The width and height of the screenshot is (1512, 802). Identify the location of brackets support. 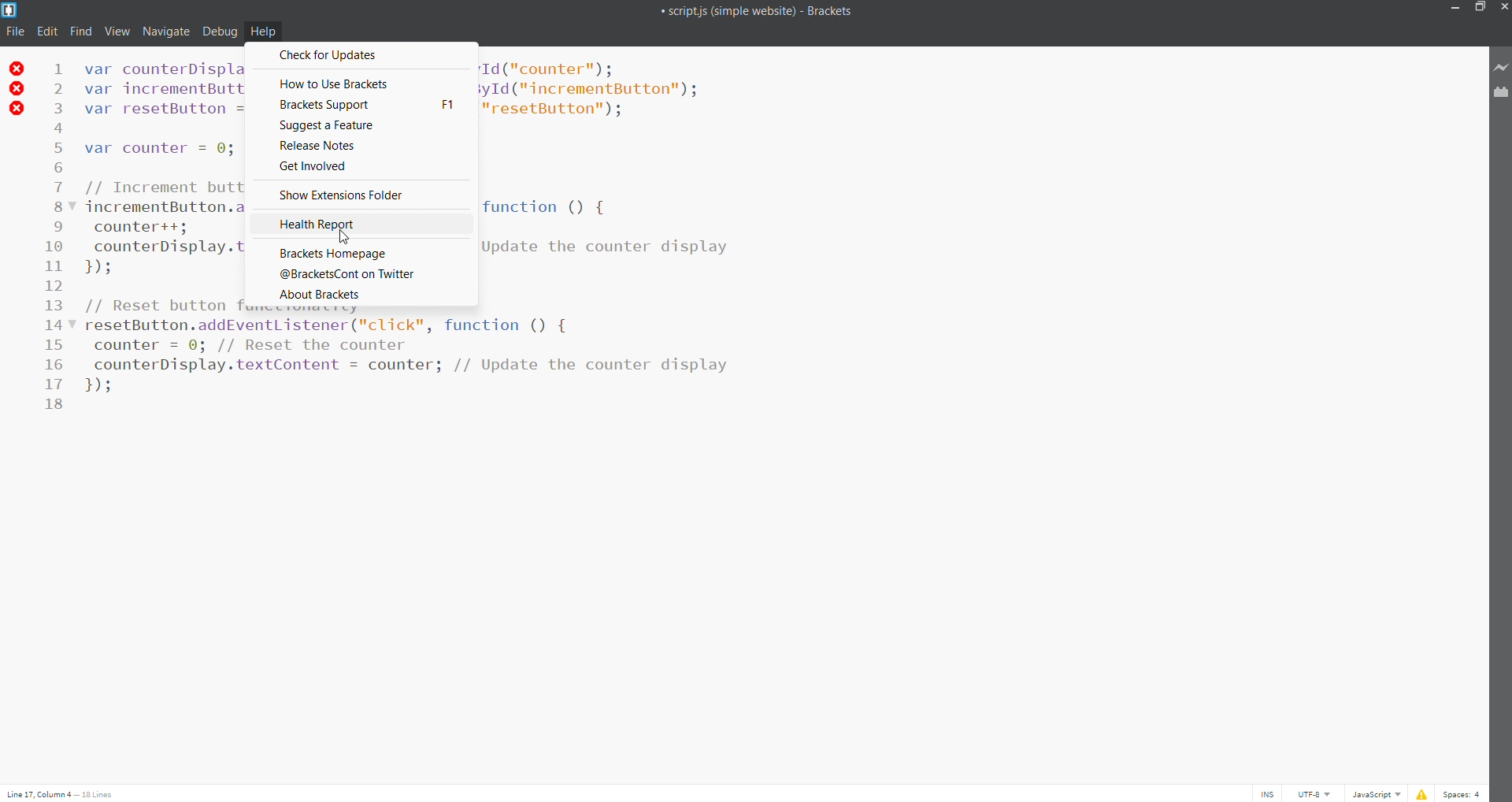
(361, 106).